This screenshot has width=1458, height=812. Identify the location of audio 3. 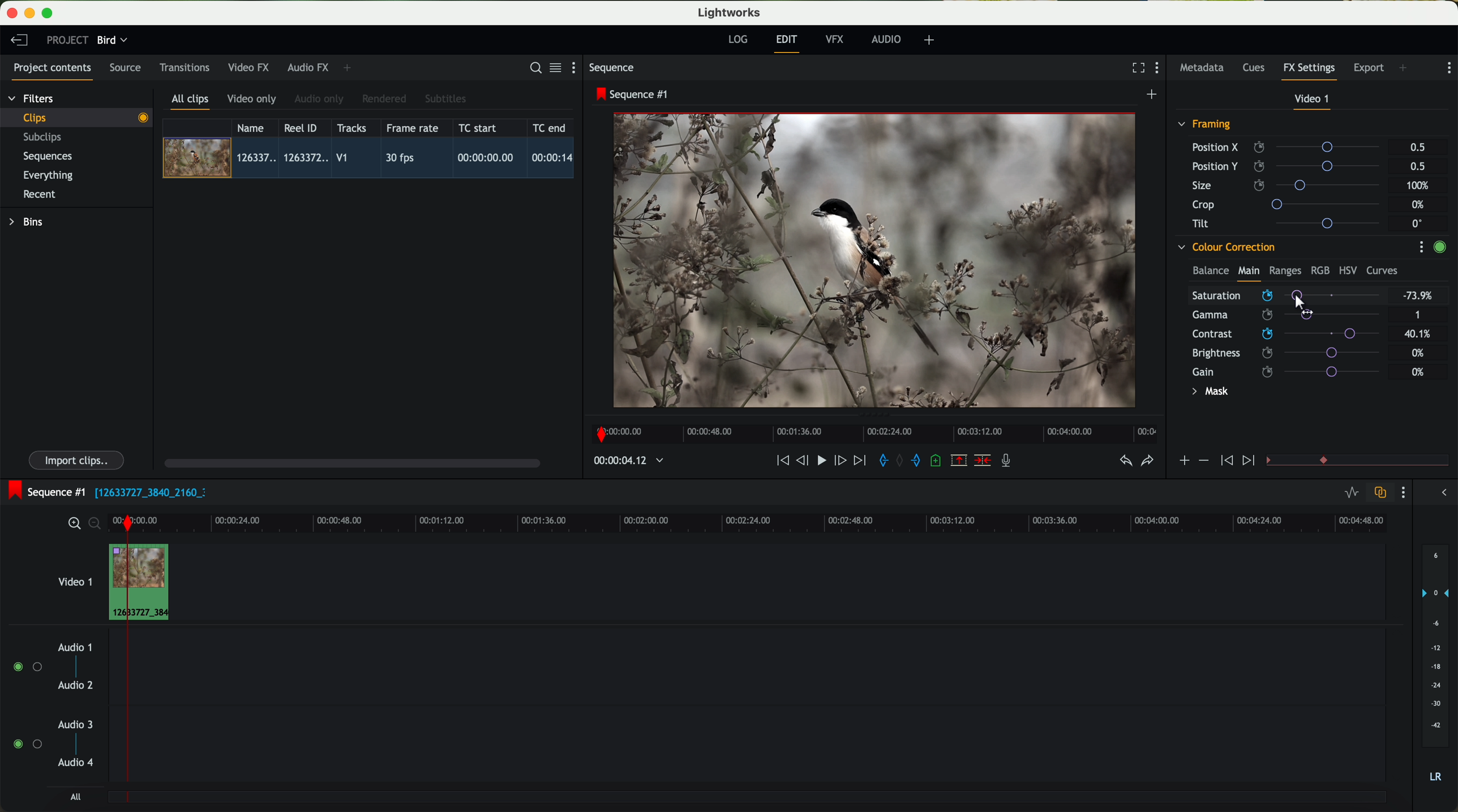
(70, 724).